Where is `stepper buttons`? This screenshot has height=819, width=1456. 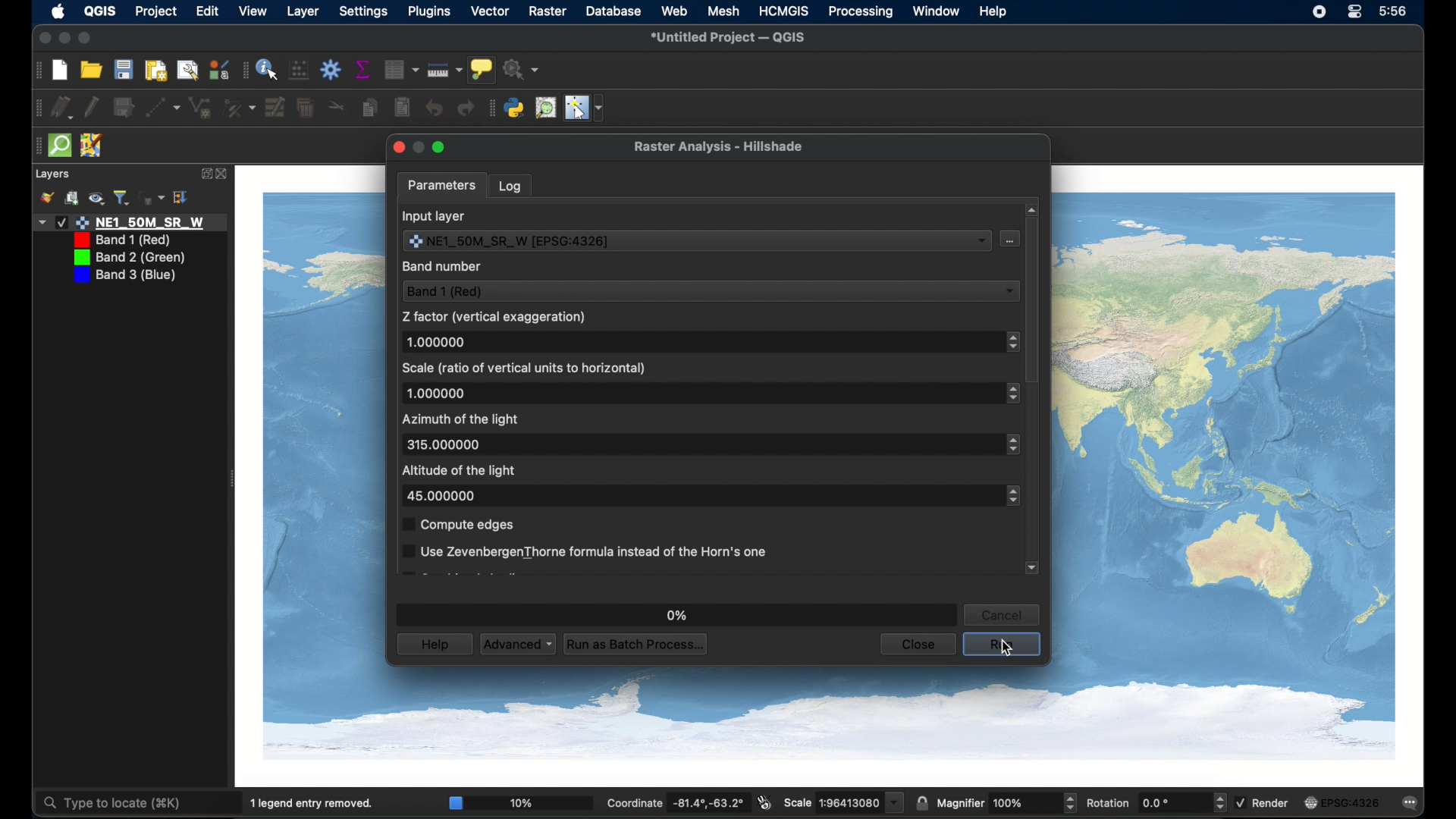 stepper buttons is located at coordinates (1012, 496).